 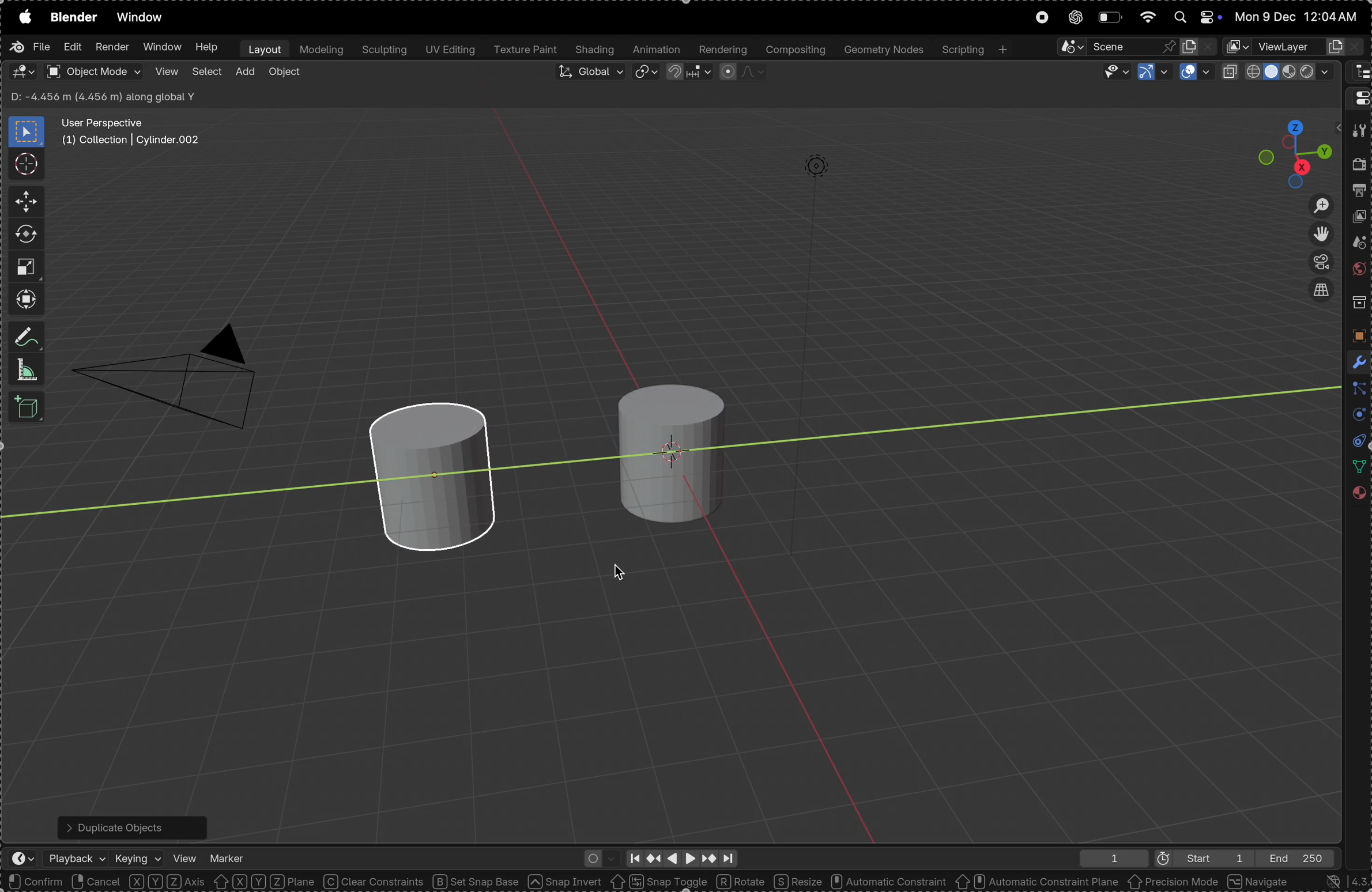 What do you see at coordinates (207, 47) in the screenshot?
I see `help` at bounding box center [207, 47].